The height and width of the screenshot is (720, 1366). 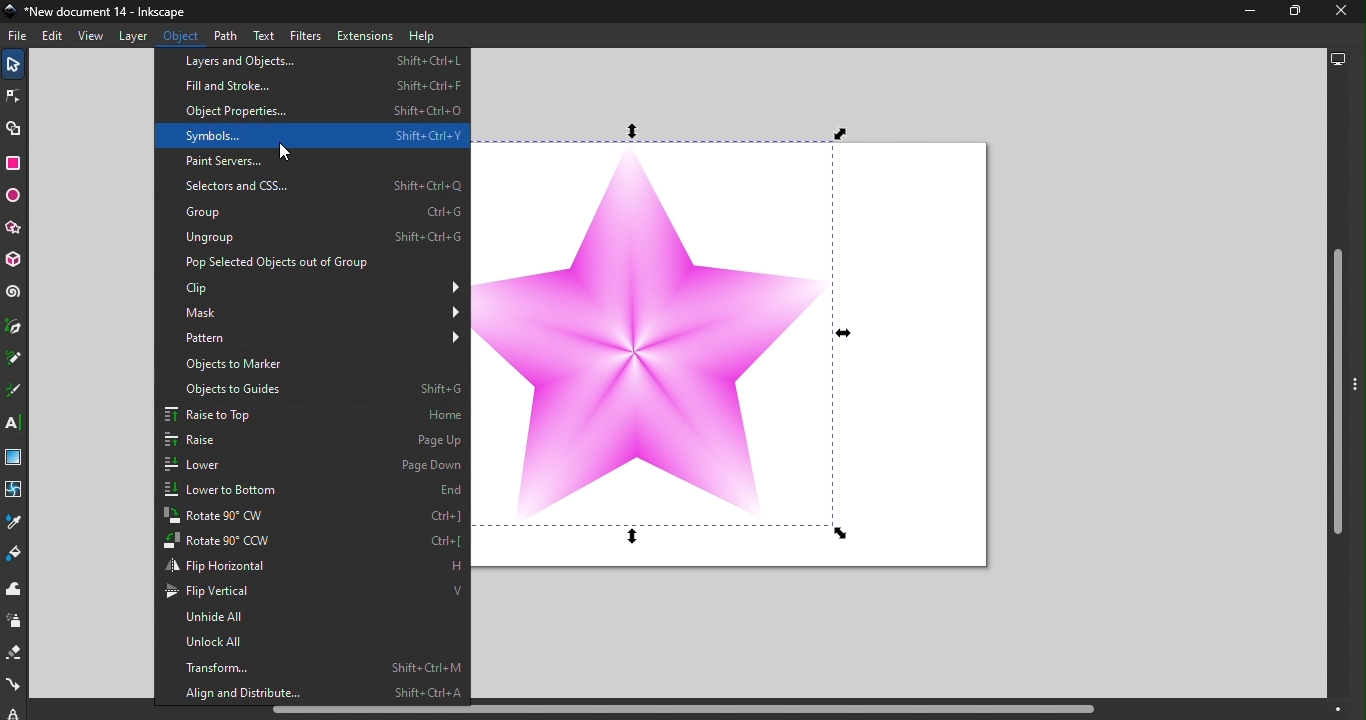 I want to click on cursor, so click(x=290, y=151).